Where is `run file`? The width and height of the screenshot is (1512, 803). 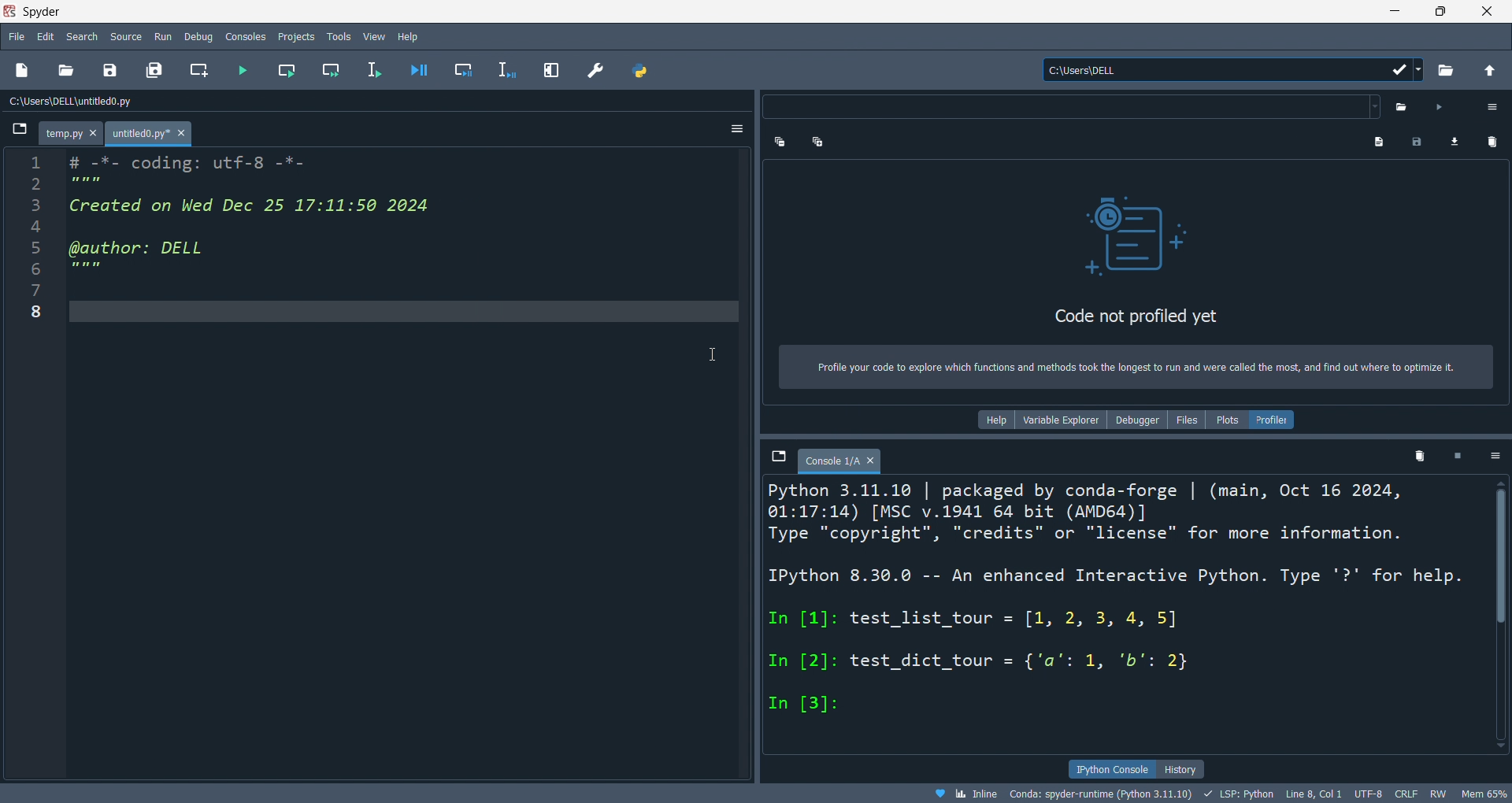
run file is located at coordinates (239, 69).